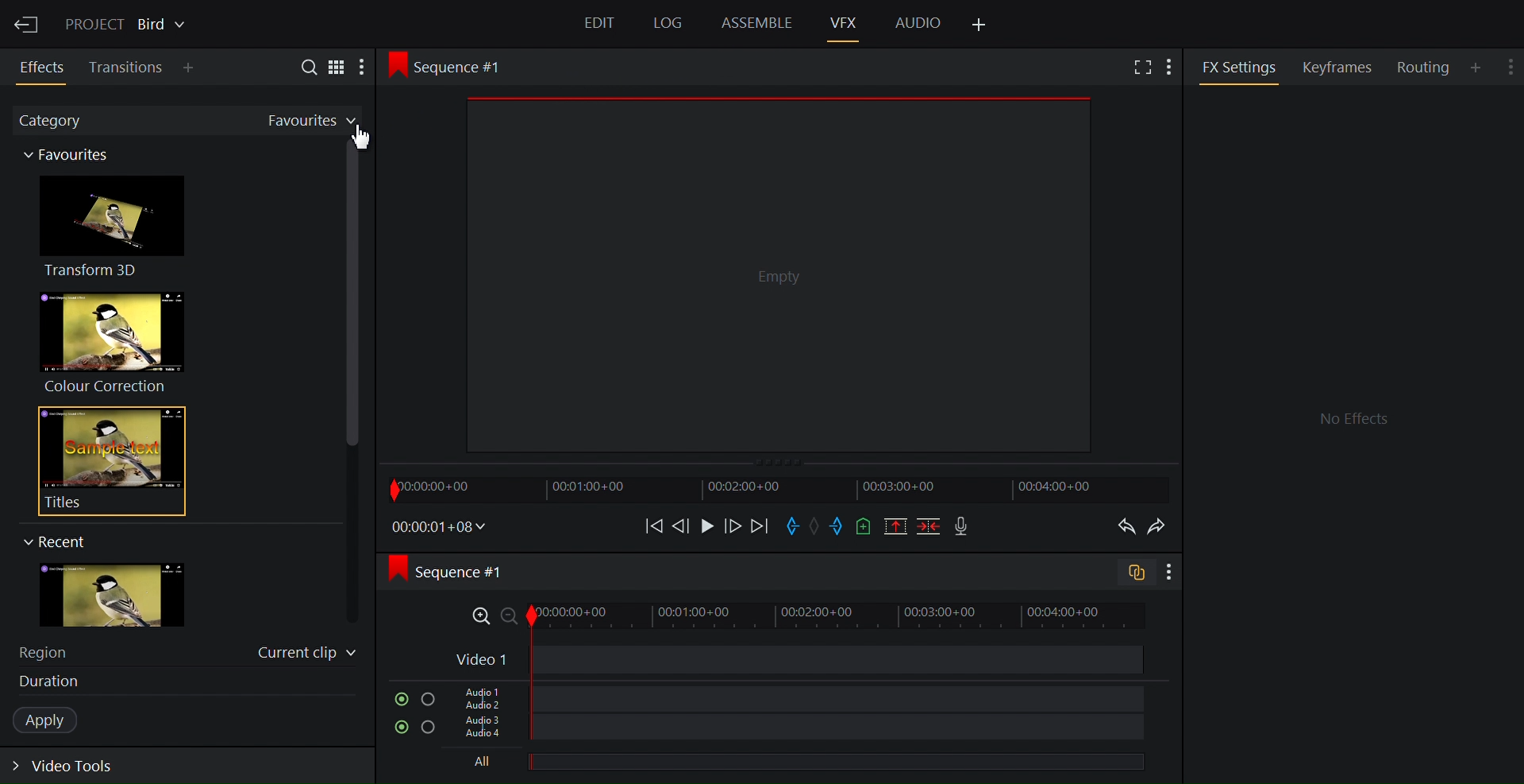  I want to click on Delete/cut, so click(930, 528).